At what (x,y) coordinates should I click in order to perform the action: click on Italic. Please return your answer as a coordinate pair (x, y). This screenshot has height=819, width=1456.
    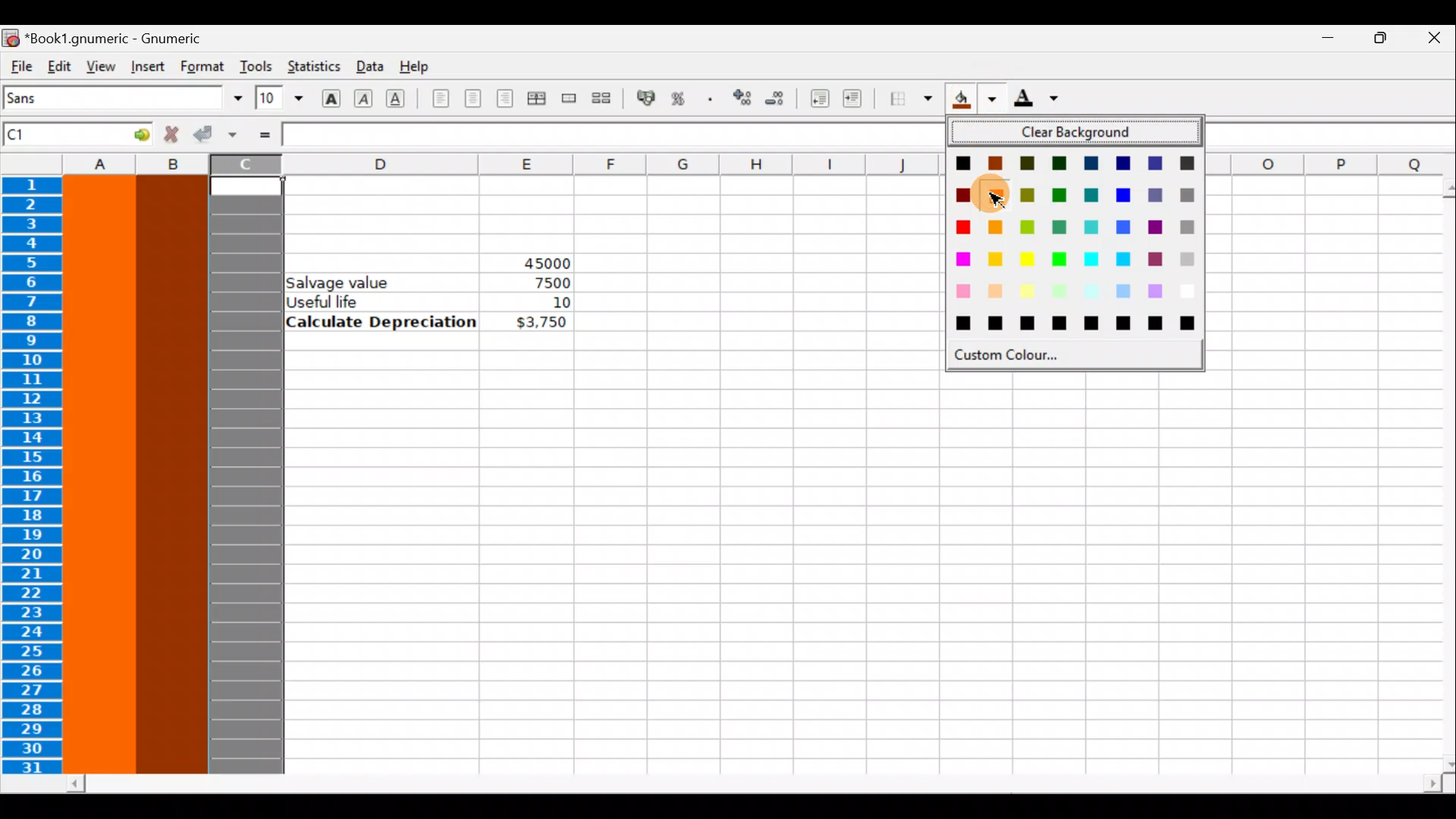
    Looking at the image, I should click on (366, 96).